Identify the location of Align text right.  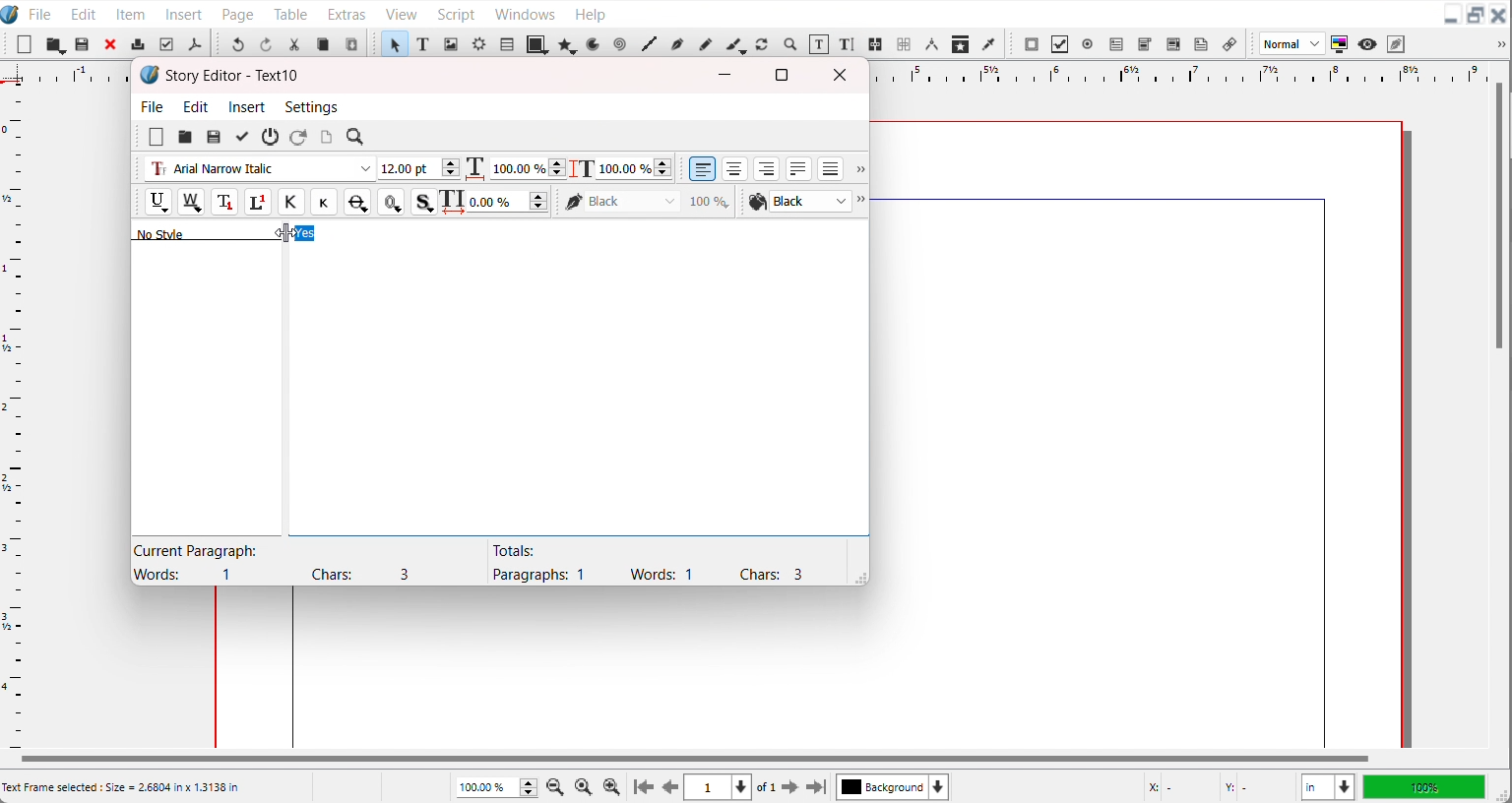
(767, 168).